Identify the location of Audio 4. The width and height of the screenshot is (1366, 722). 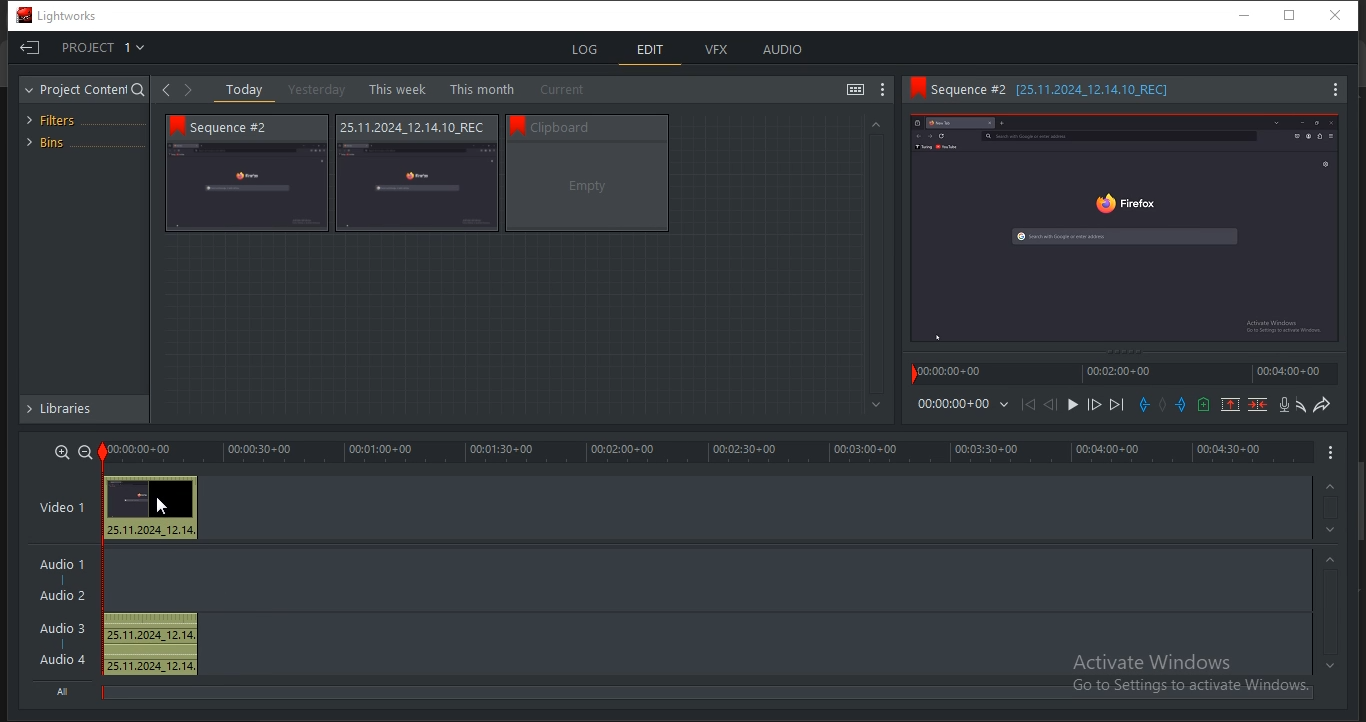
(65, 660).